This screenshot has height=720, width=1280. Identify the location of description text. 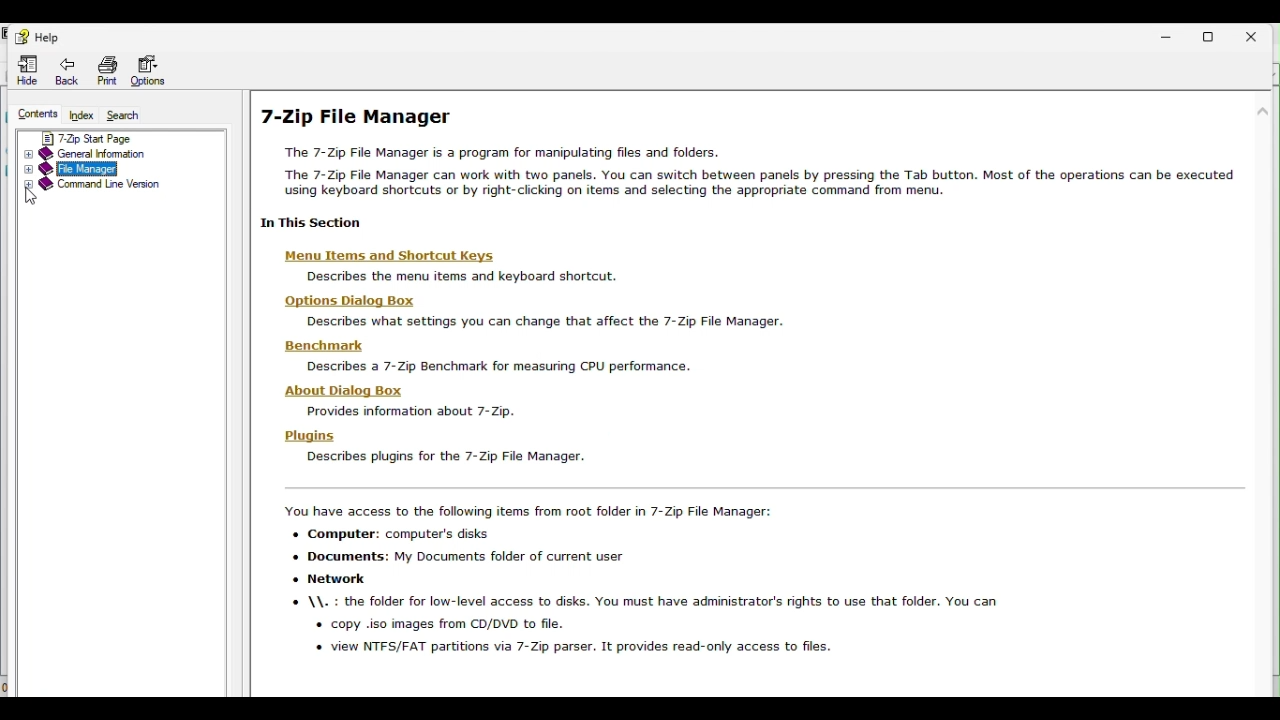
(679, 581).